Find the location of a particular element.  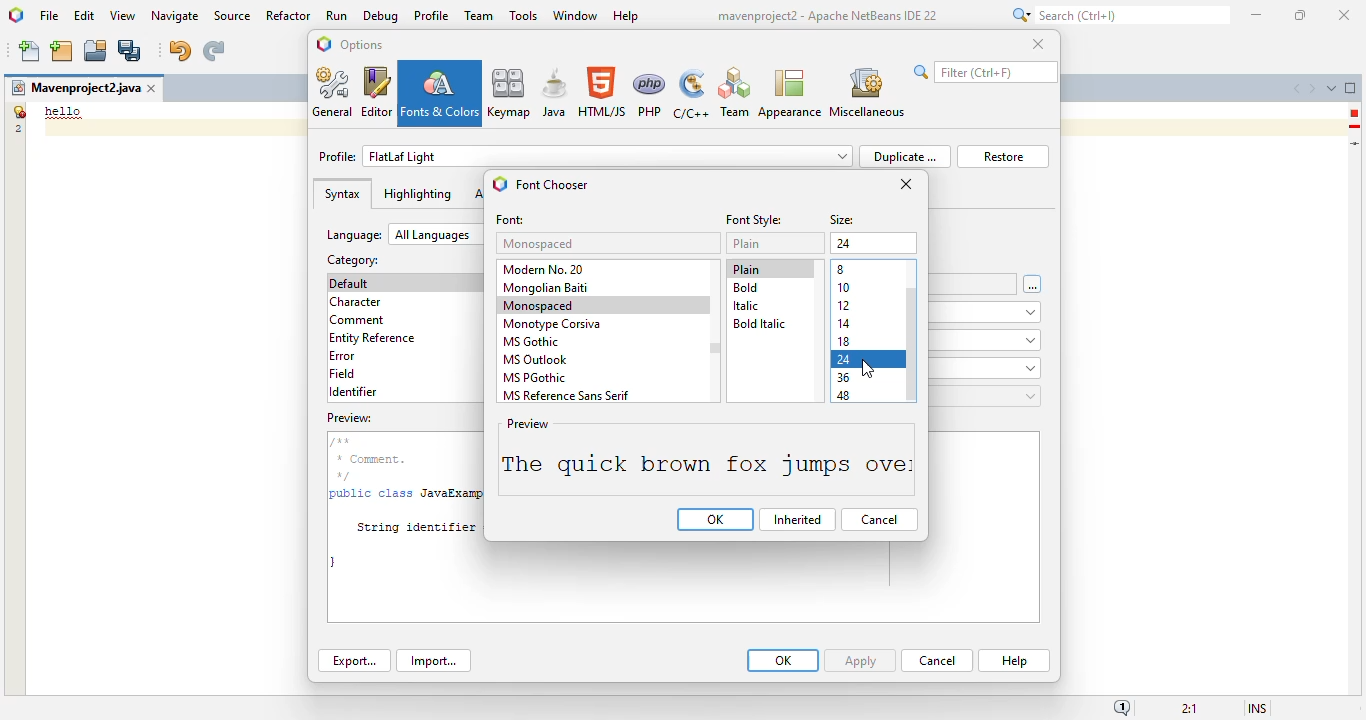

source is located at coordinates (232, 16).